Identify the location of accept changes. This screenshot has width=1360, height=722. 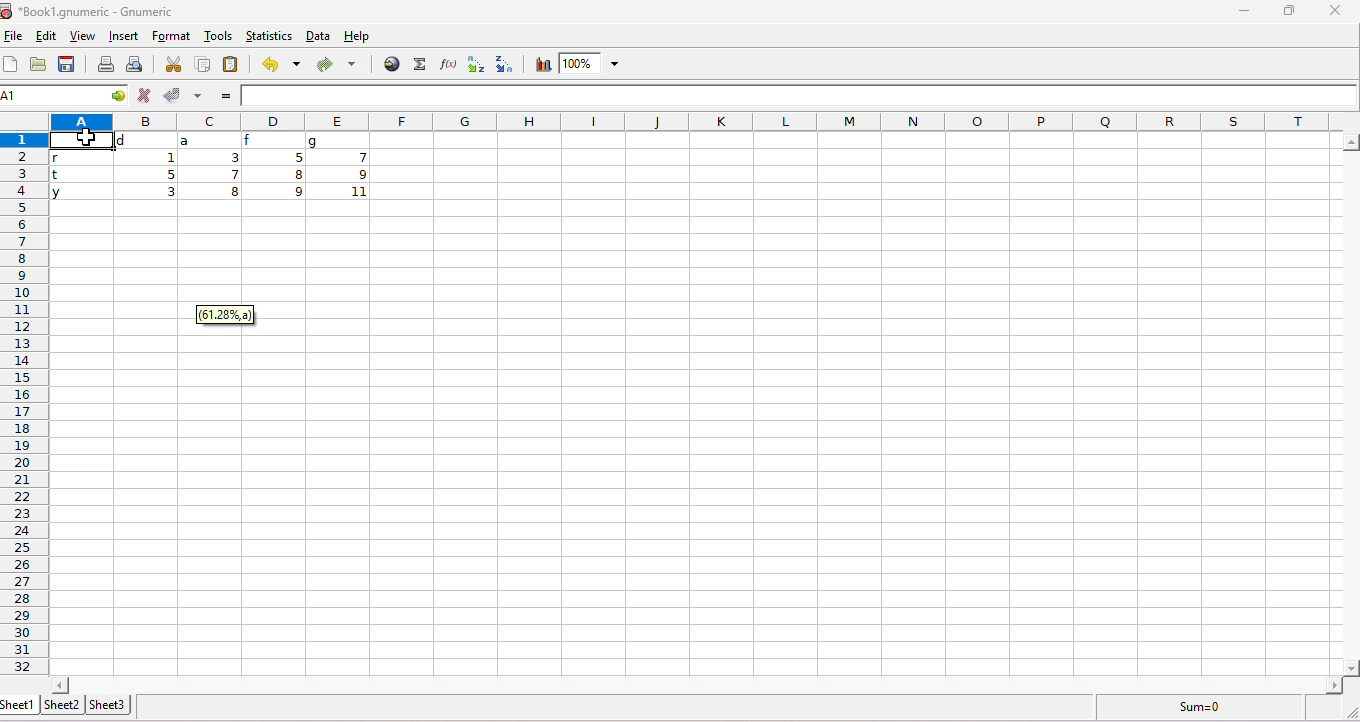
(168, 94).